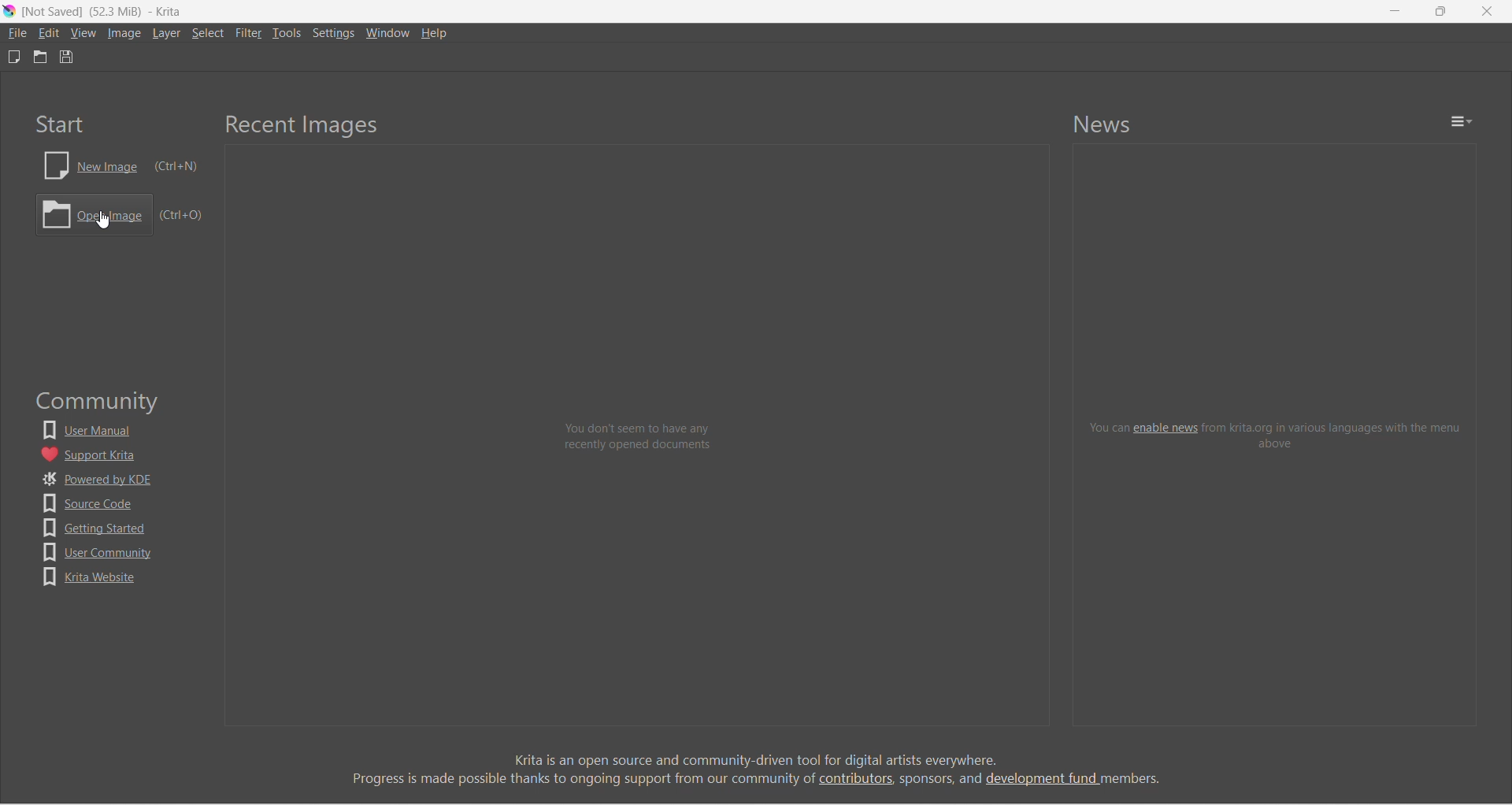 The height and width of the screenshot is (805, 1512). Describe the element at coordinates (49, 33) in the screenshot. I see `edit` at that location.